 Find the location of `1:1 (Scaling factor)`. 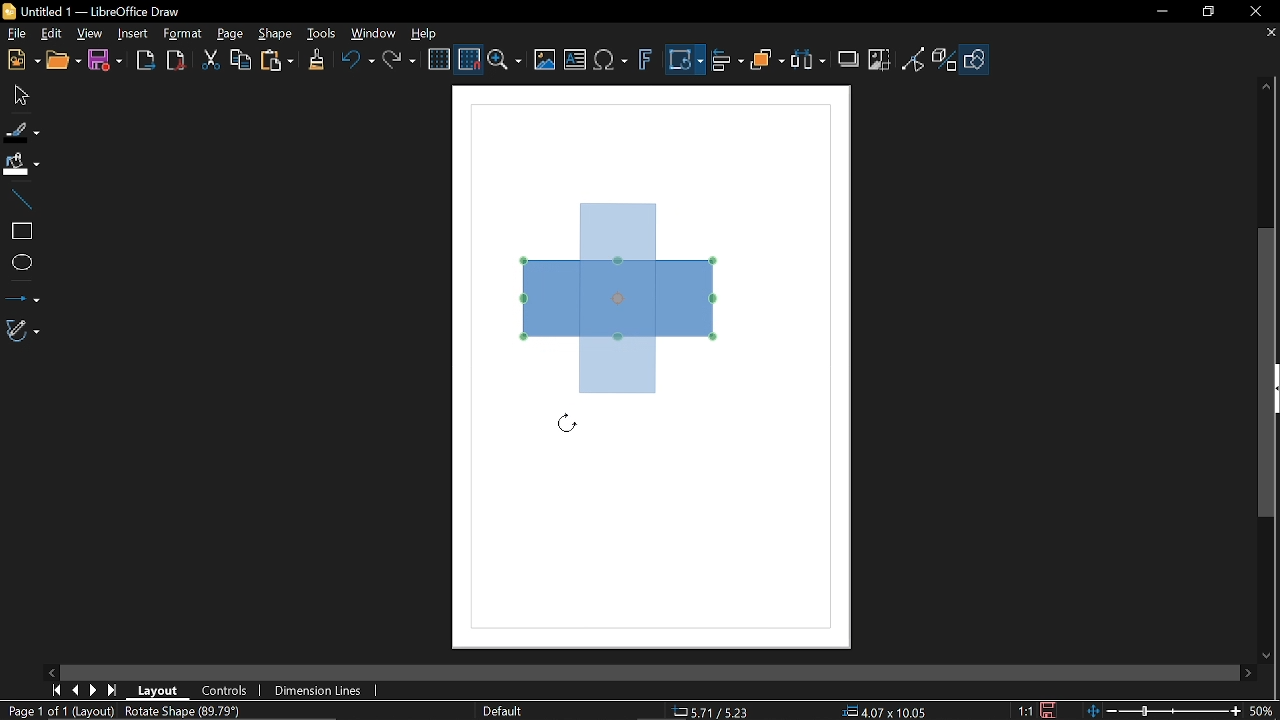

1:1 (Scaling factor) is located at coordinates (1025, 711).